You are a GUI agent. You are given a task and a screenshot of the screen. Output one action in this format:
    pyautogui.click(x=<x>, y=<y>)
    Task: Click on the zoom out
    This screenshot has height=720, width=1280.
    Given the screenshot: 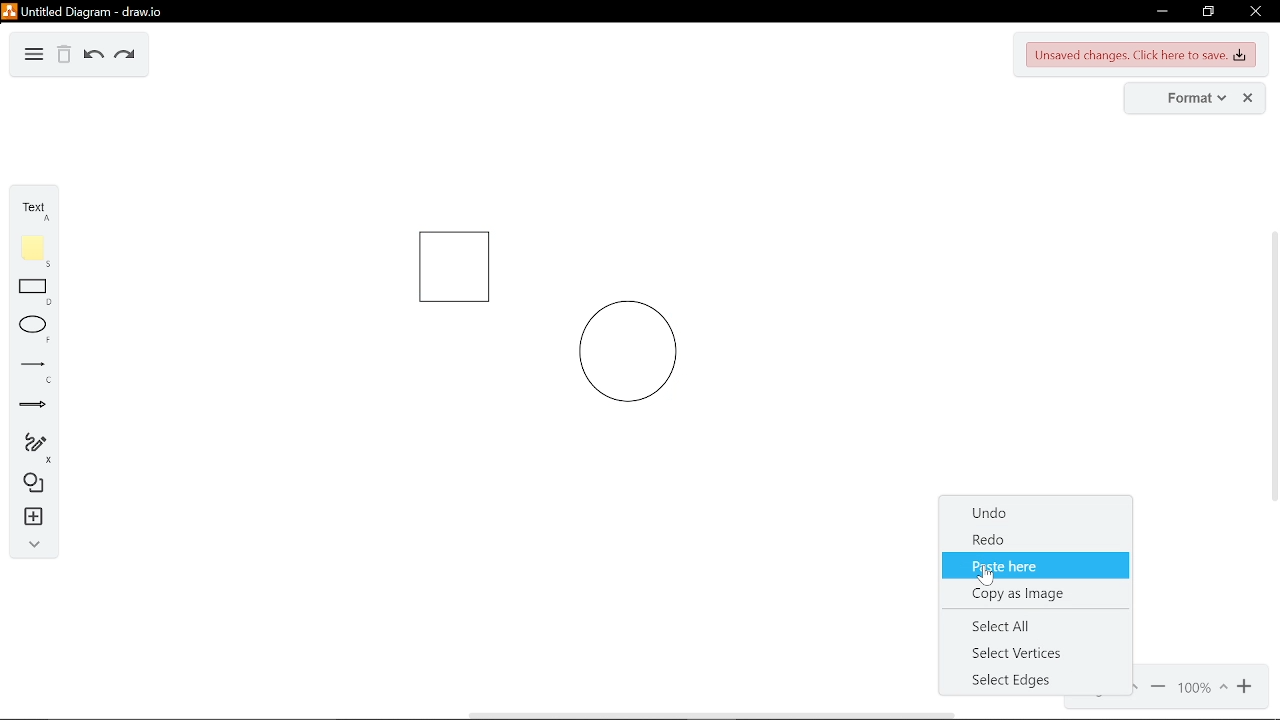 What is the action you would take?
    pyautogui.click(x=1246, y=688)
    